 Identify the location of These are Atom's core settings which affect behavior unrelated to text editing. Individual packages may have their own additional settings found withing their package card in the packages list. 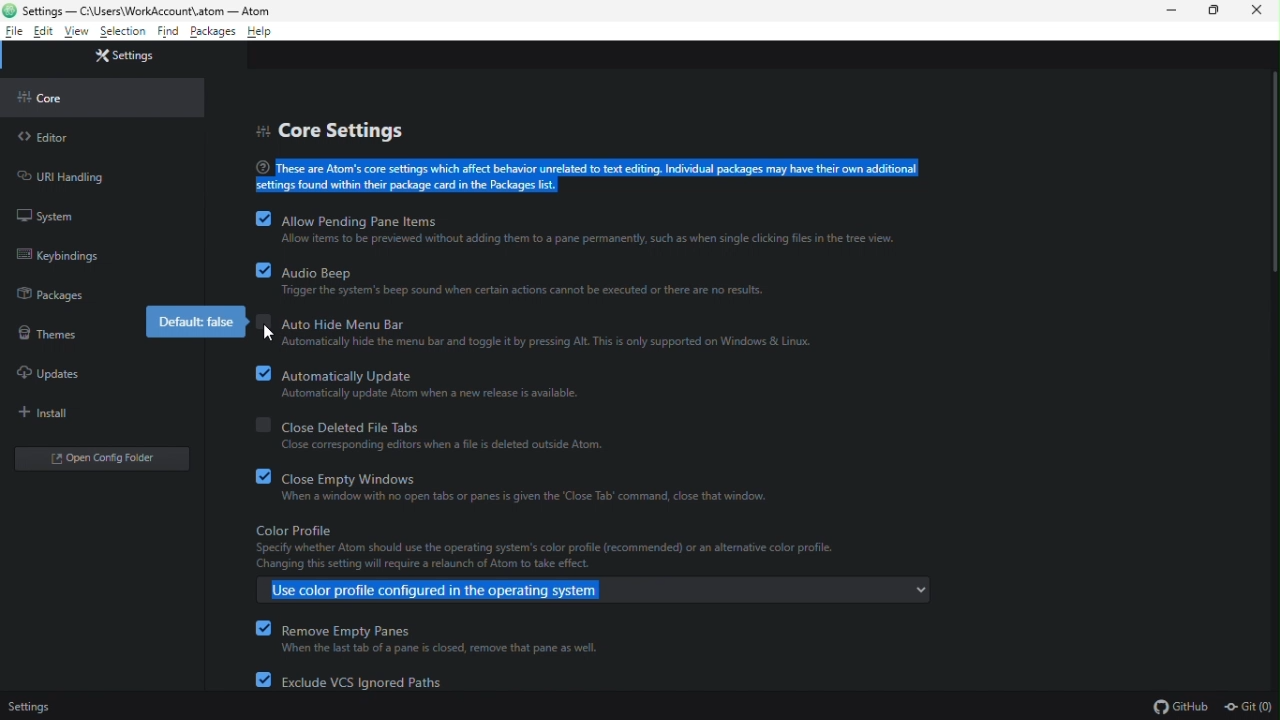
(593, 176).